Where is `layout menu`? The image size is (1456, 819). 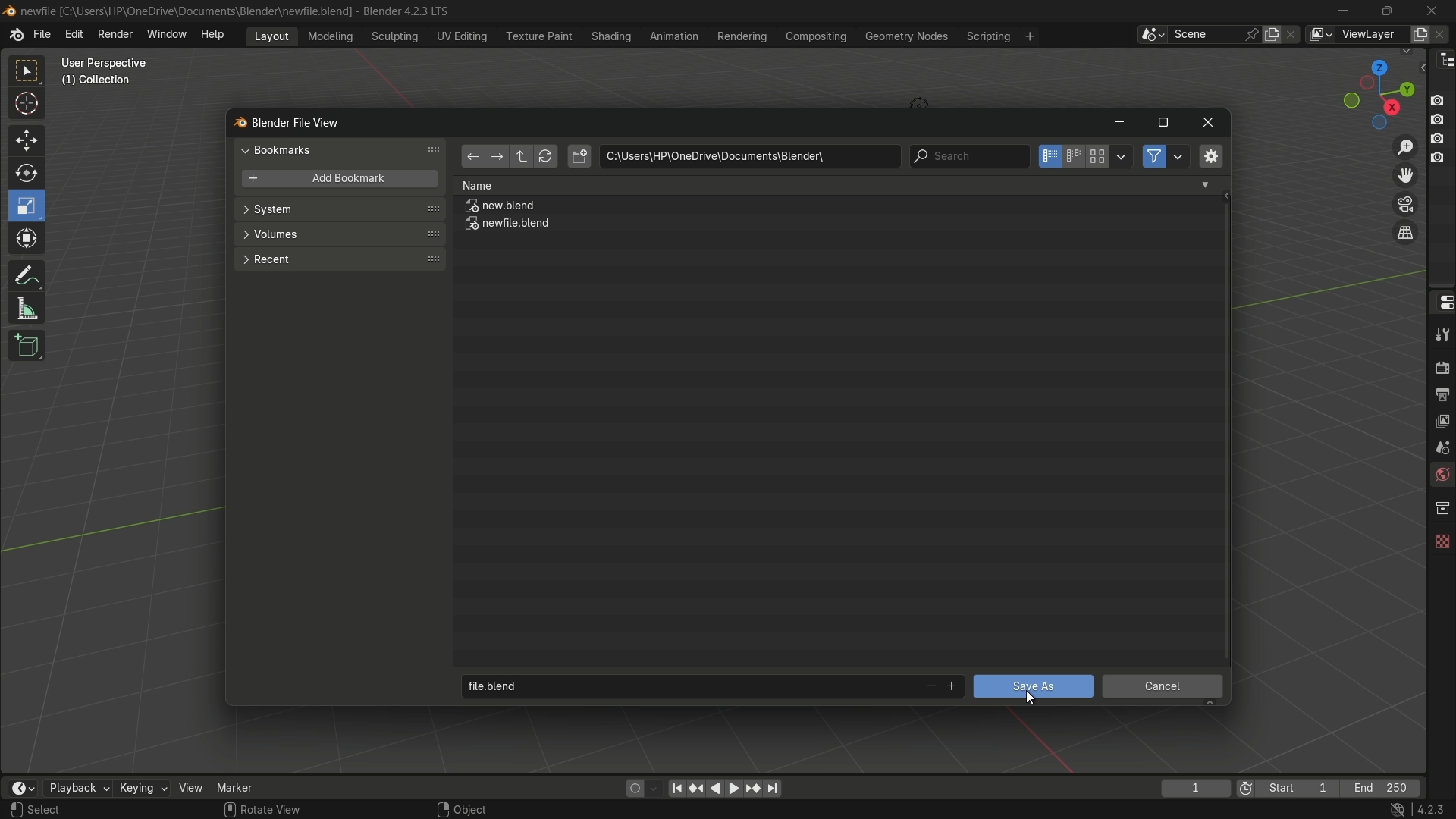 layout menu is located at coordinates (271, 35).